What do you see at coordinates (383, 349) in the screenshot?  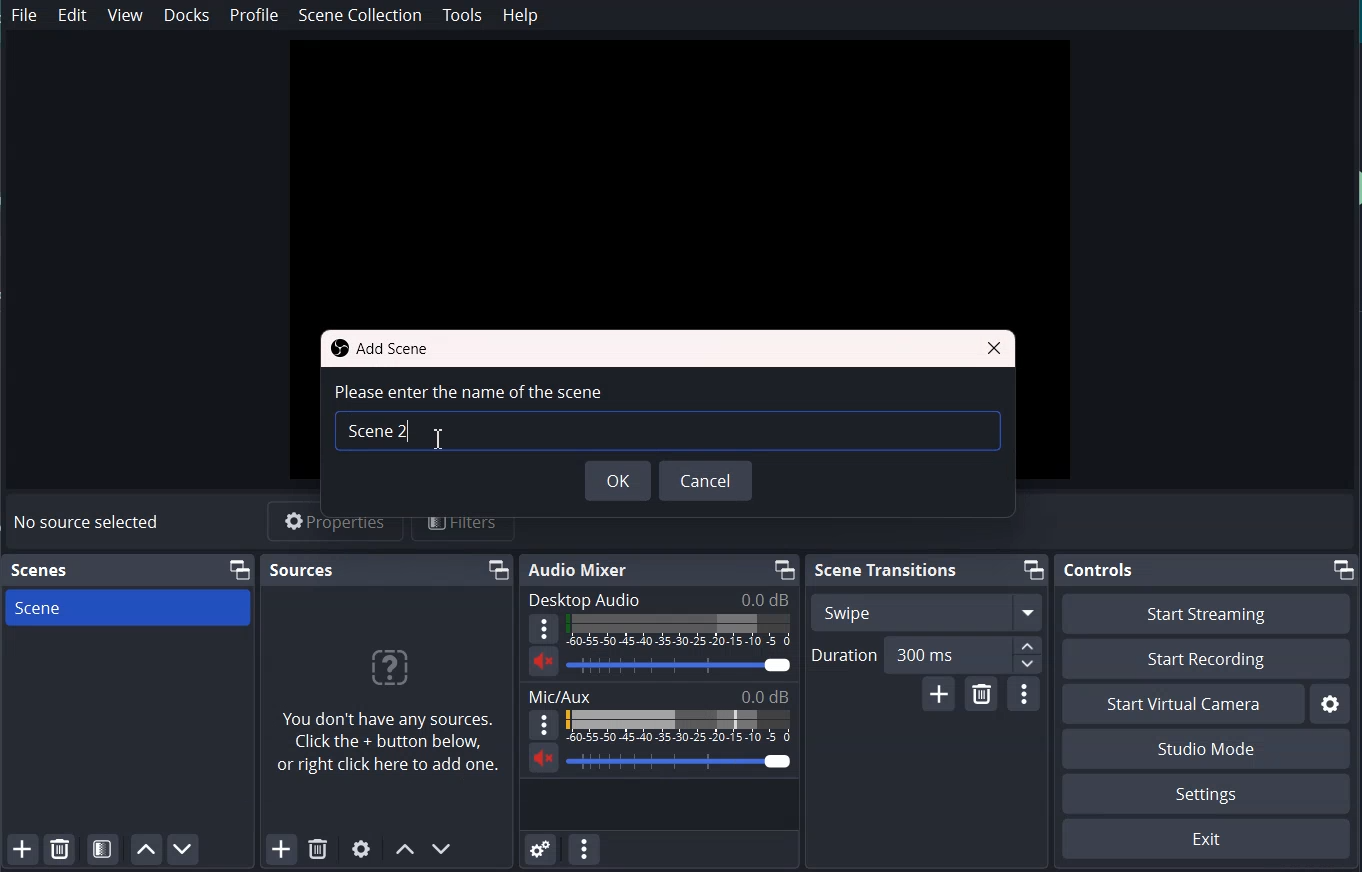 I see `Text` at bounding box center [383, 349].